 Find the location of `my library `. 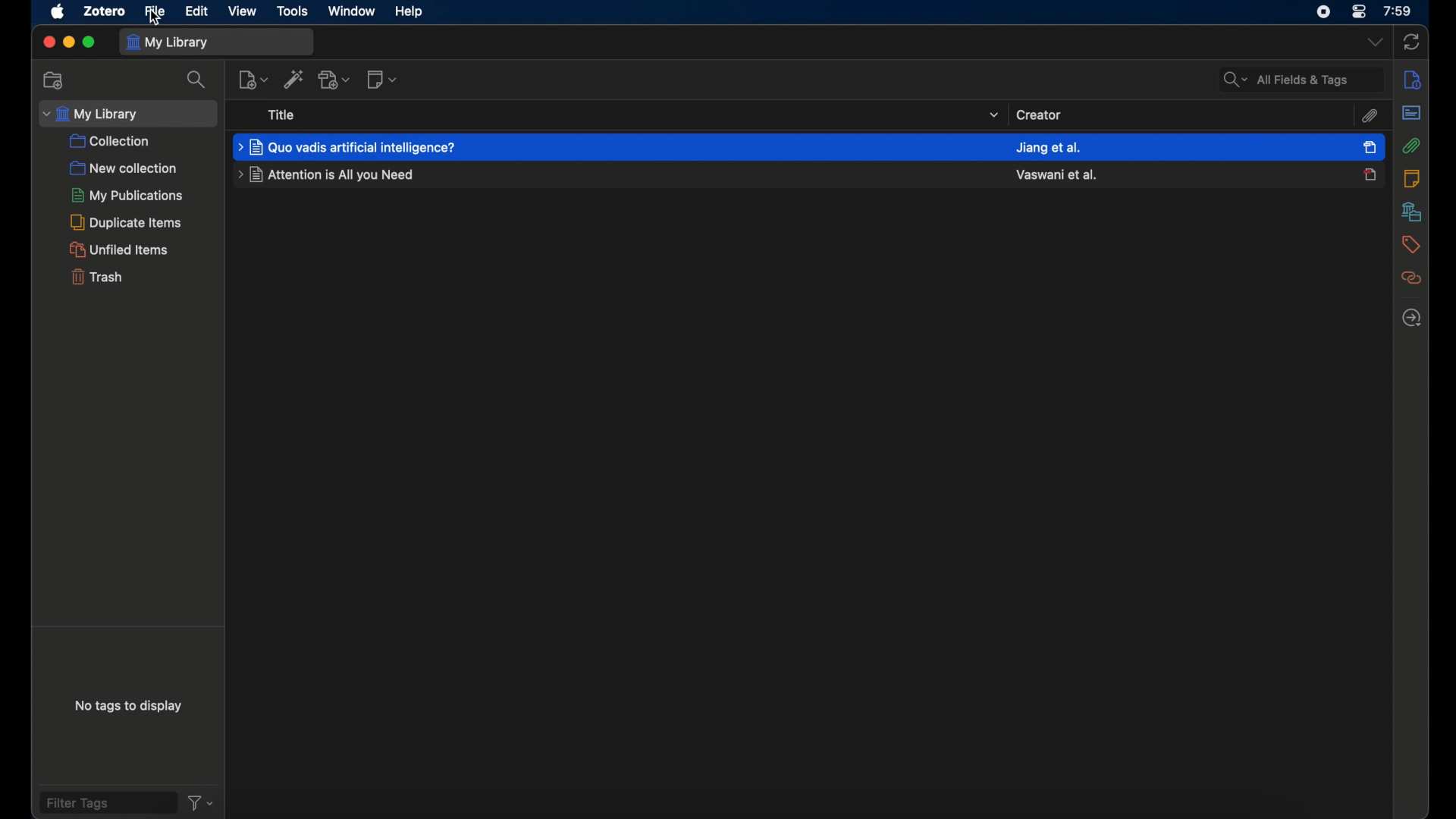

my library  is located at coordinates (218, 42).